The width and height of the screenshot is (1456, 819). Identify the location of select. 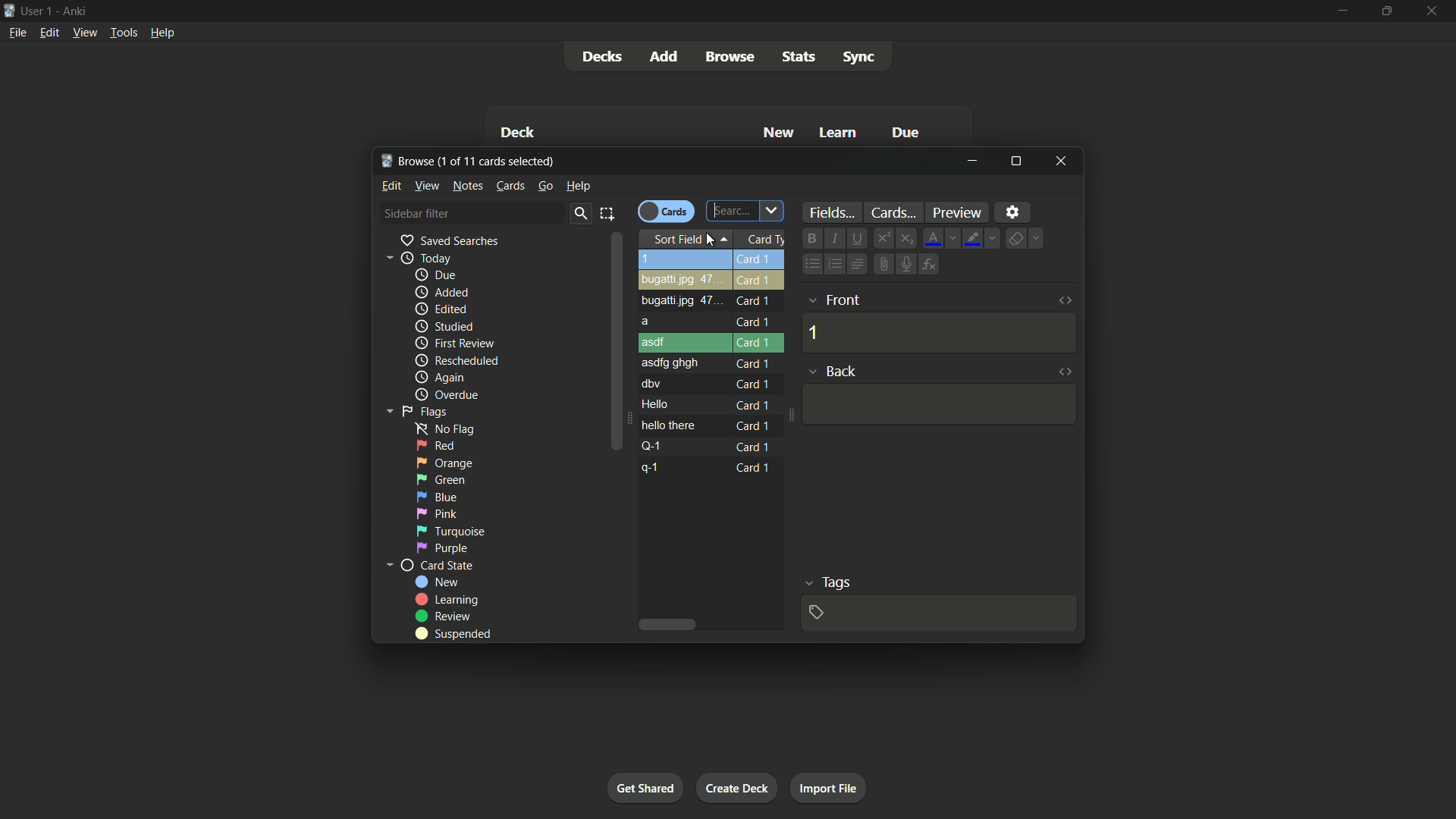
(610, 212).